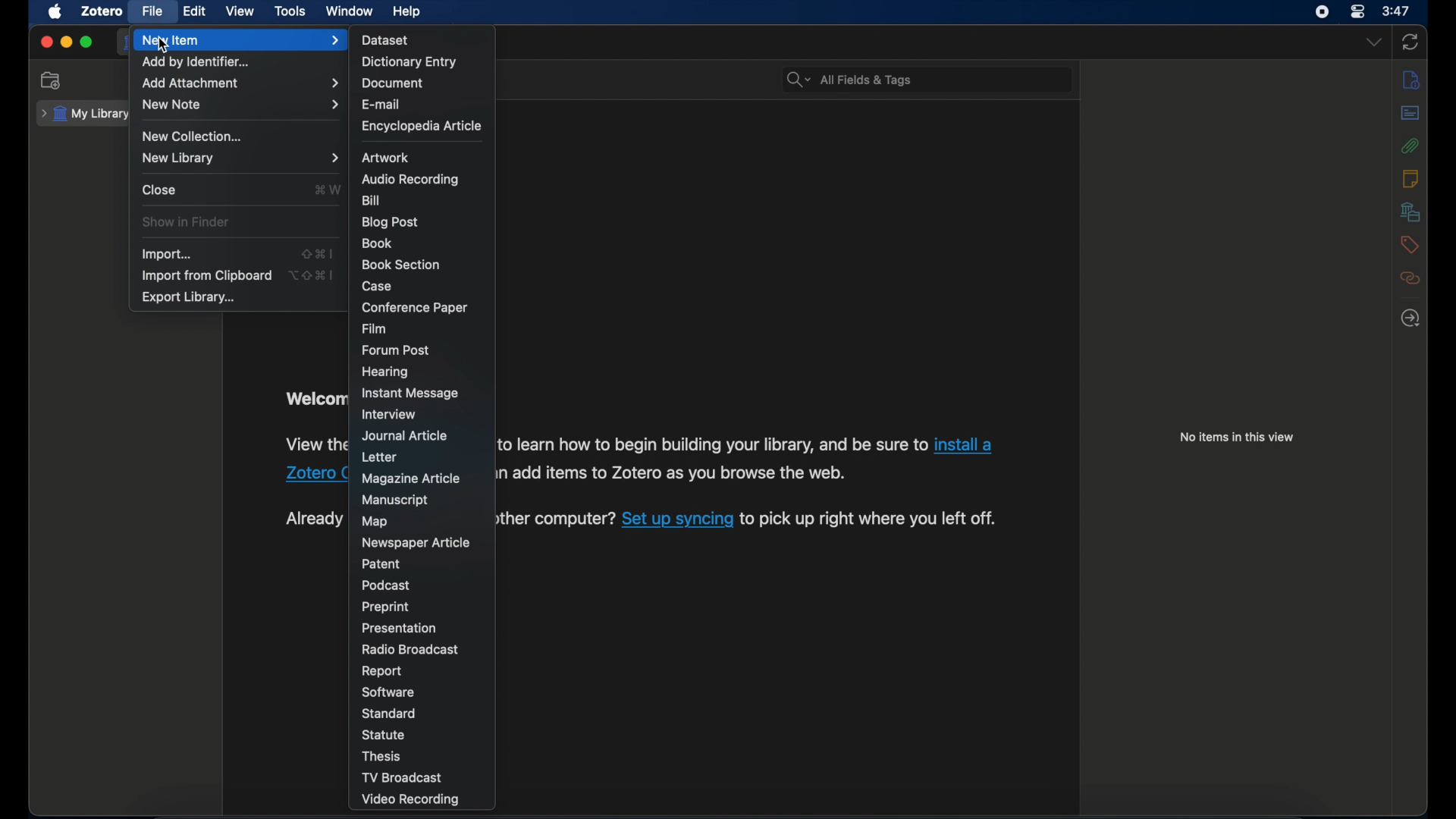  Describe the element at coordinates (1411, 146) in the screenshot. I see `attachments` at that location.